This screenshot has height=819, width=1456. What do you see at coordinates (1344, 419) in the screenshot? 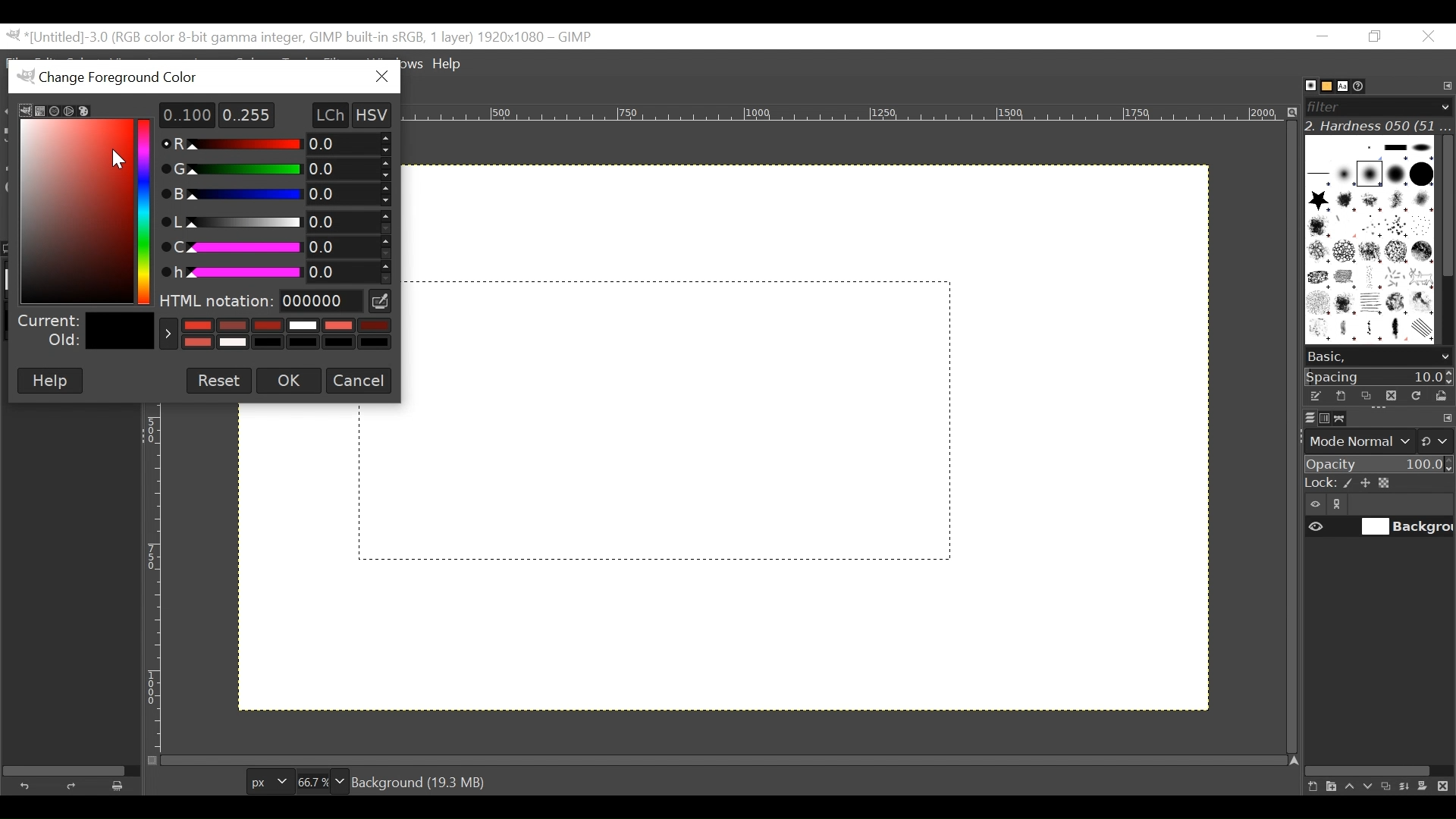
I see `Paths` at bounding box center [1344, 419].